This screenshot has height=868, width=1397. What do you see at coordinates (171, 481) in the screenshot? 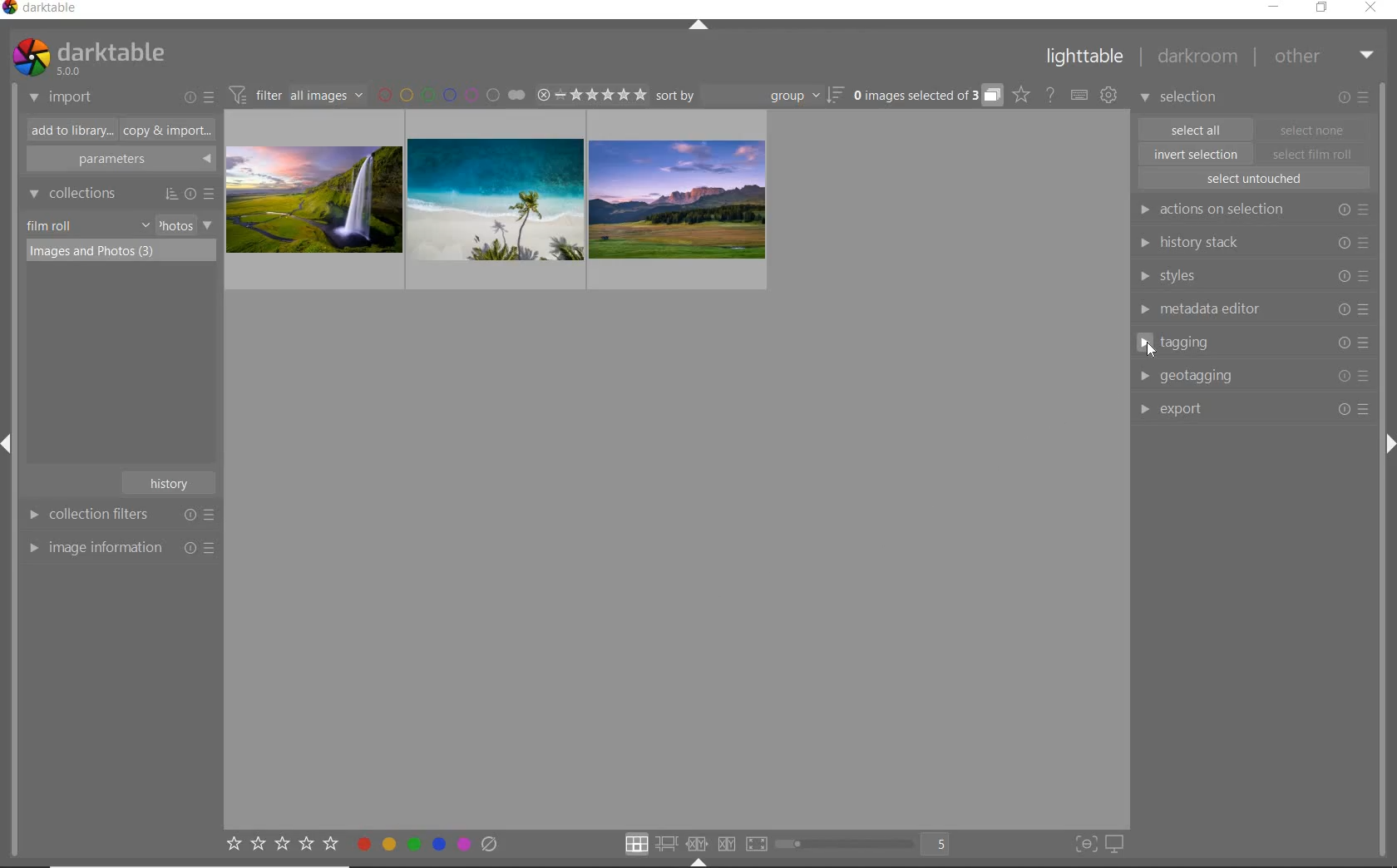
I see `history` at bounding box center [171, 481].